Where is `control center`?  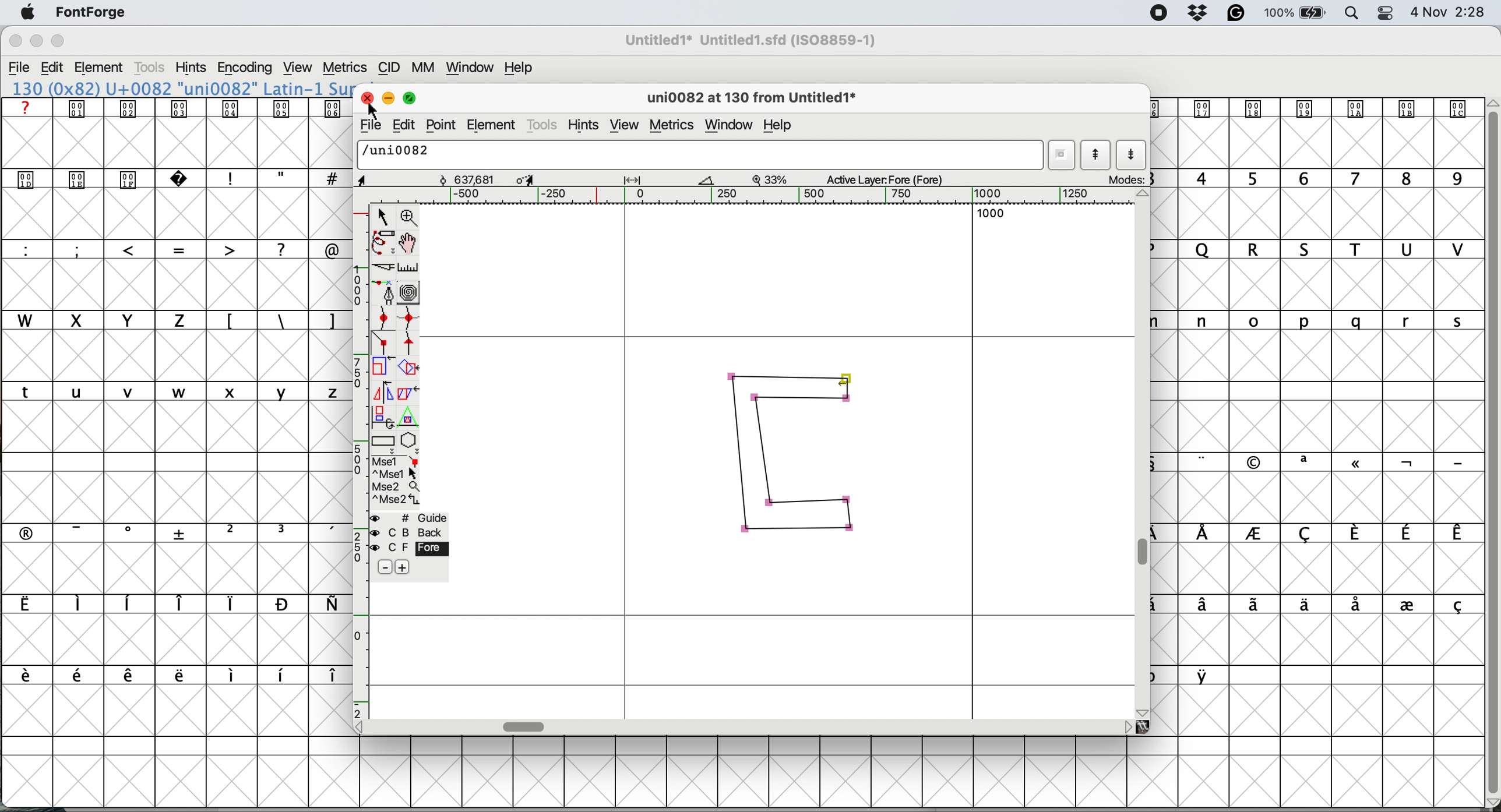
control center is located at coordinates (1384, 13).